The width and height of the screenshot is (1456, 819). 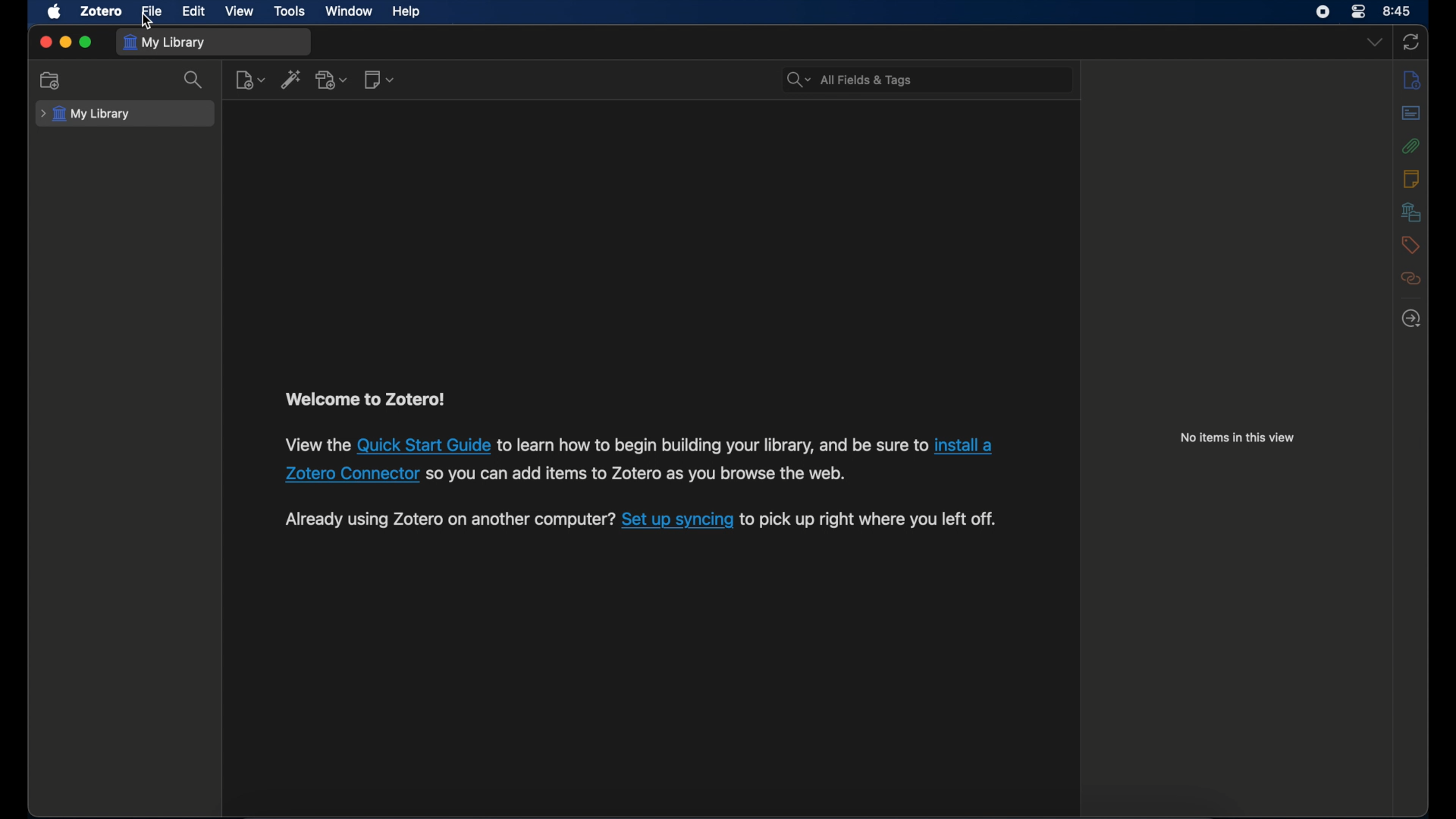 What do you see at coordinates (639, 472) in the screenshot?
I see `software information` at bounding box center [639, 472].